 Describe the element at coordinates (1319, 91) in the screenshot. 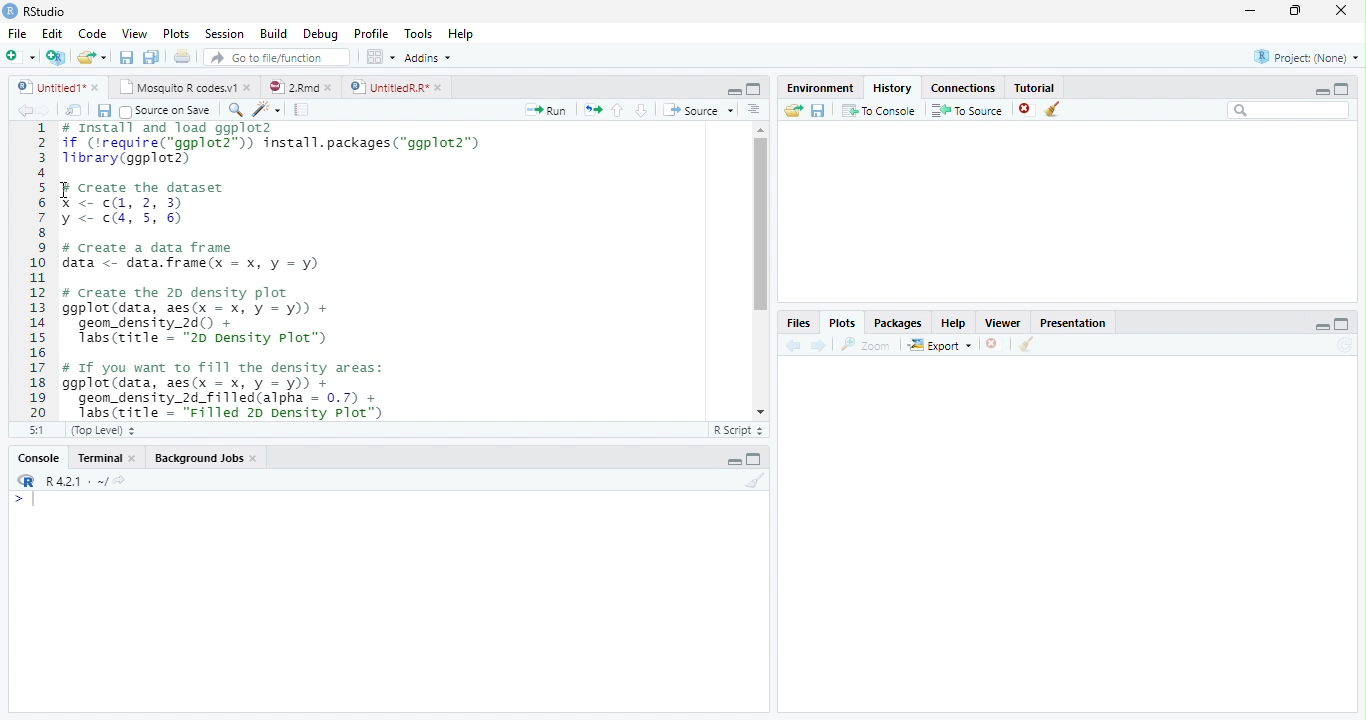

I see `minimize` at that location.